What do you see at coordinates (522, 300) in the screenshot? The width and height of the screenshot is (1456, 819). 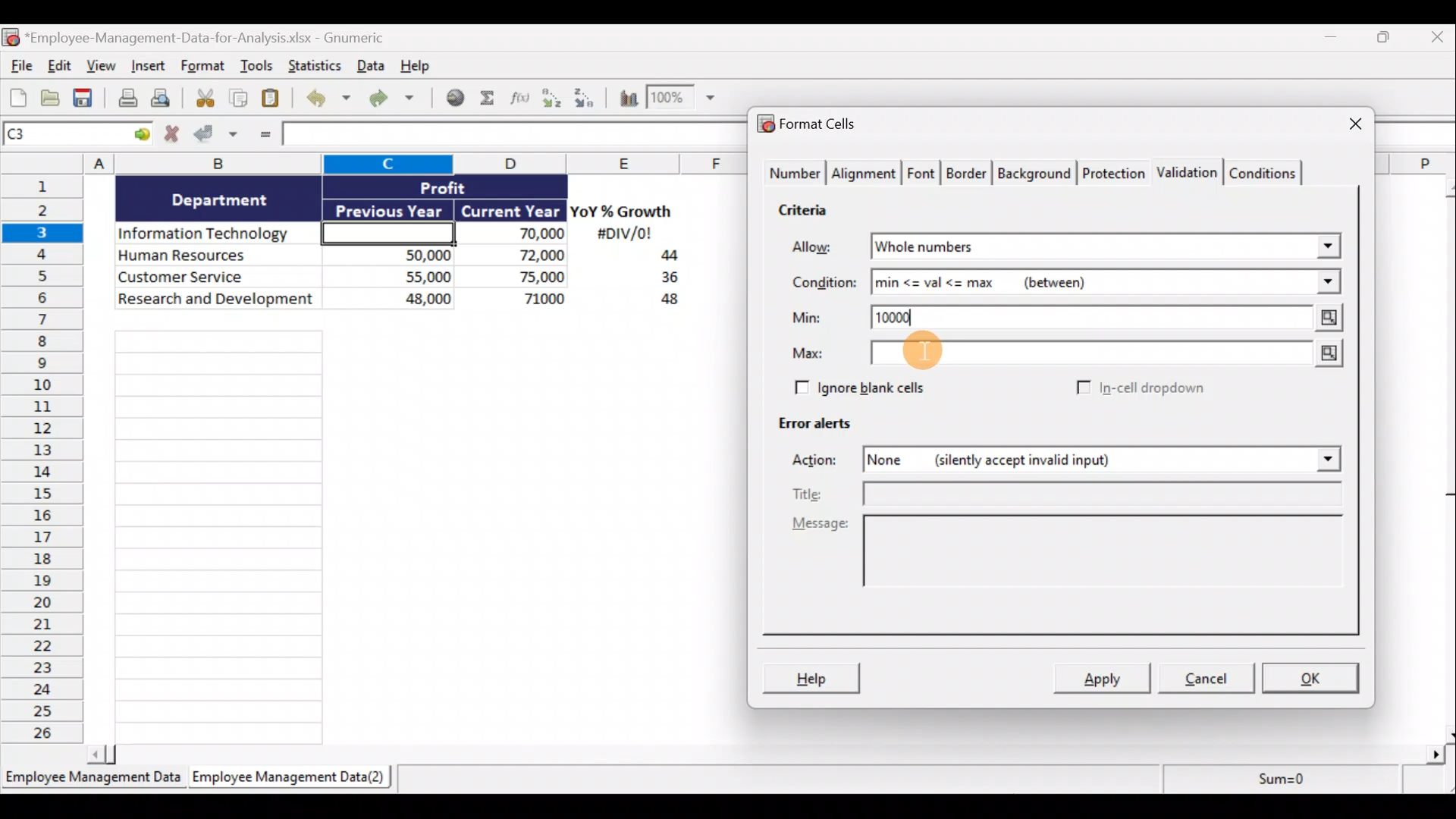 I see `71,000` at bounding box center [522, 300].